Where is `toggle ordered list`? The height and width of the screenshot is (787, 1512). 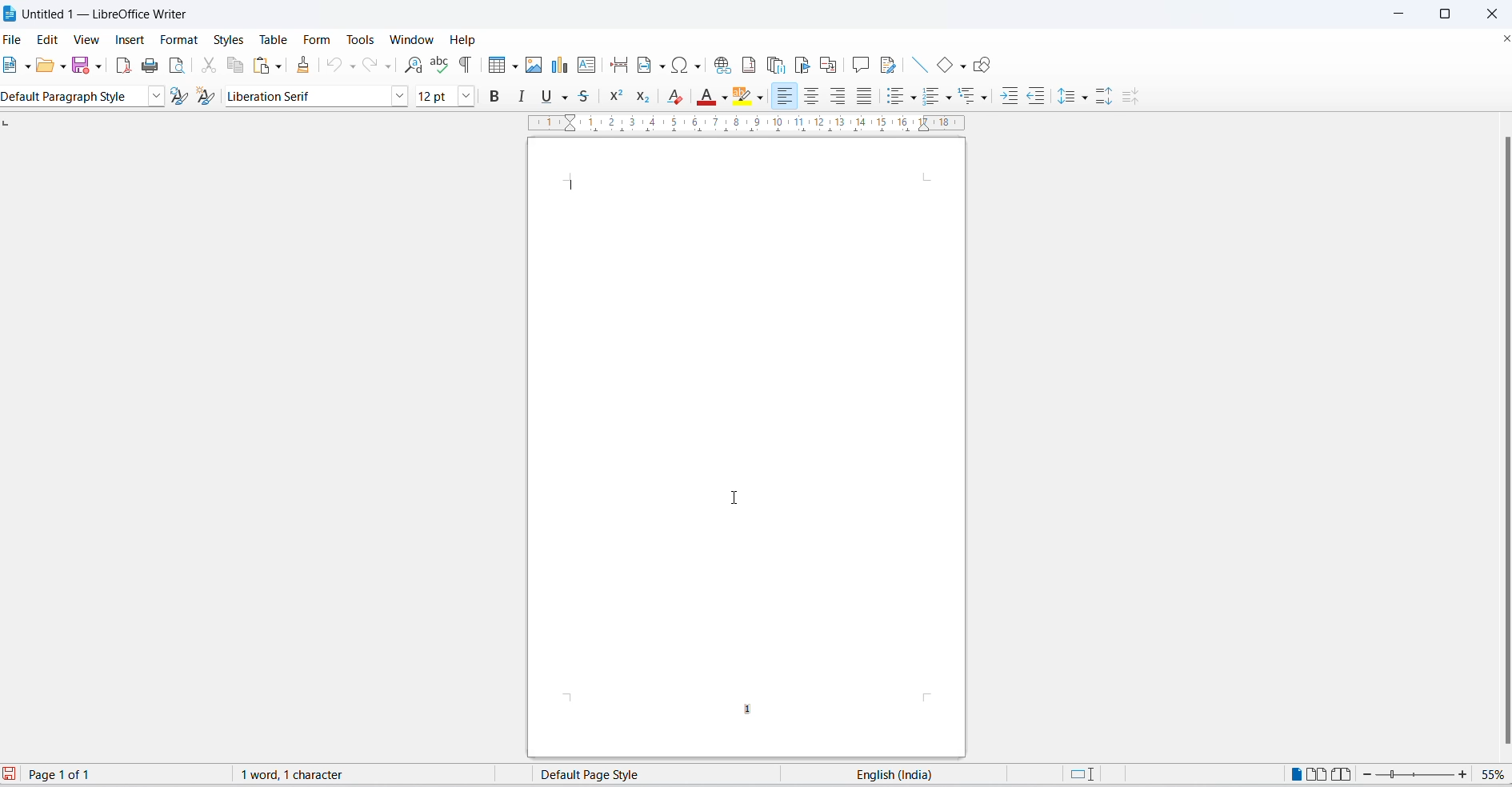 toggle ordered list is located at coordinates (934, 95).